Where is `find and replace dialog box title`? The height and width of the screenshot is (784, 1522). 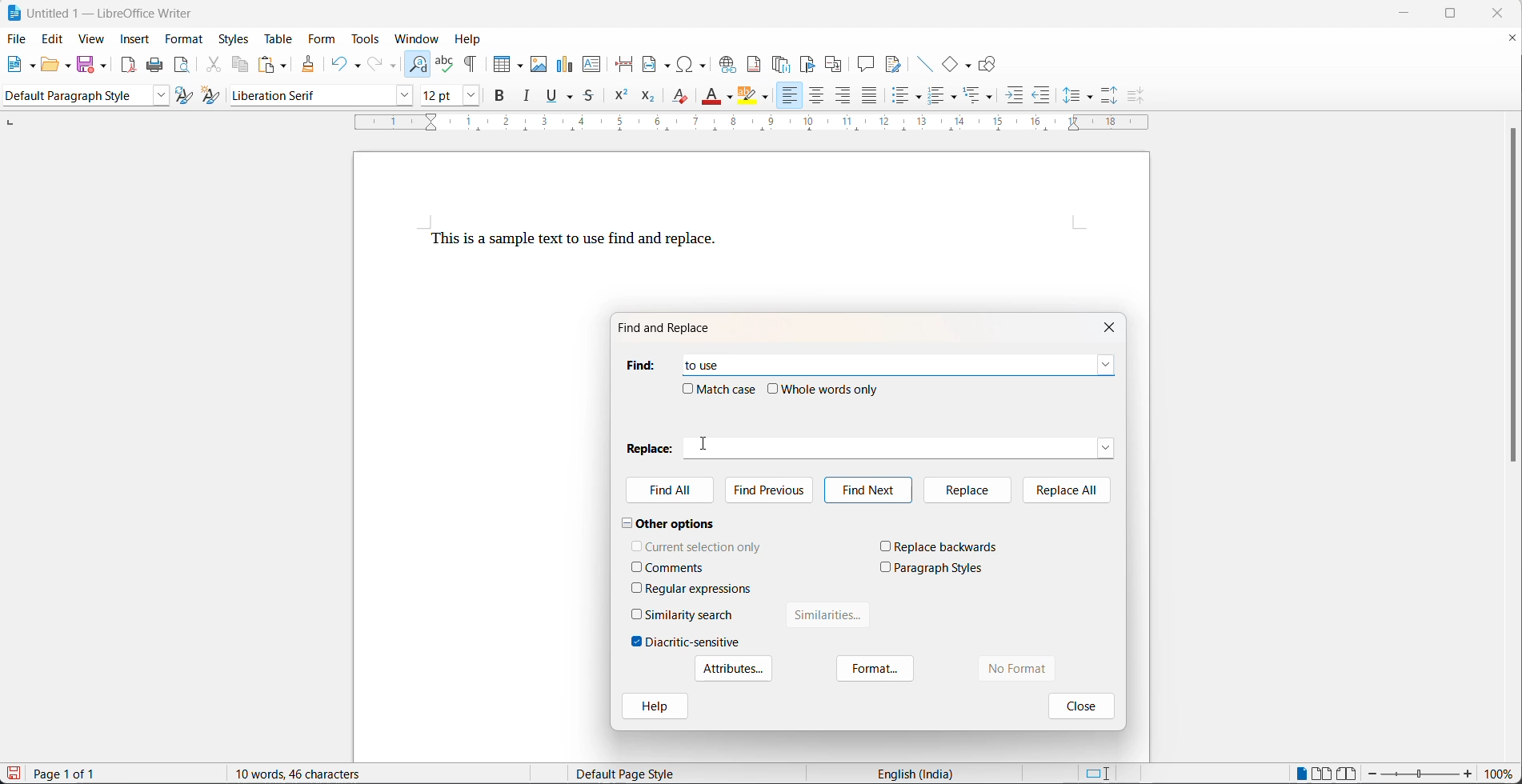
find and replace dialog box title is located at coordinates (673, 328).